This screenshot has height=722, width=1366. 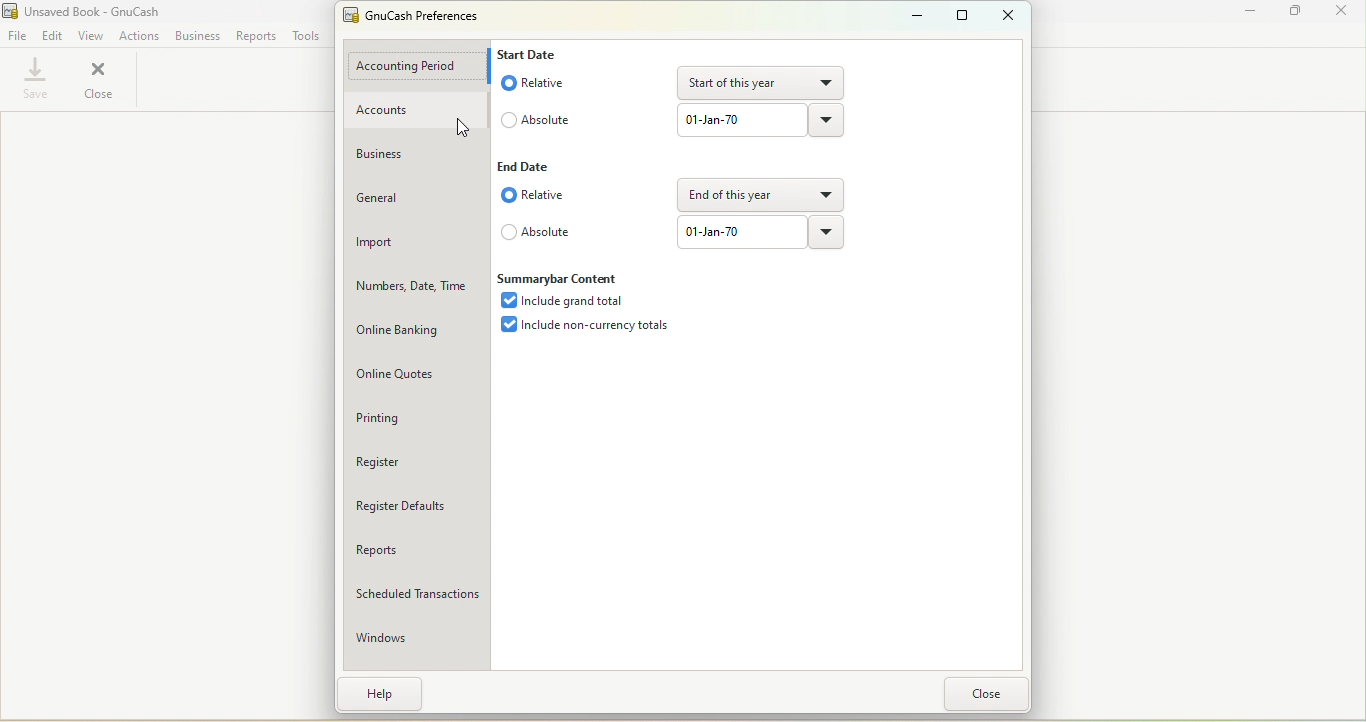 I want to click on File name, so click(x=84, y=10).